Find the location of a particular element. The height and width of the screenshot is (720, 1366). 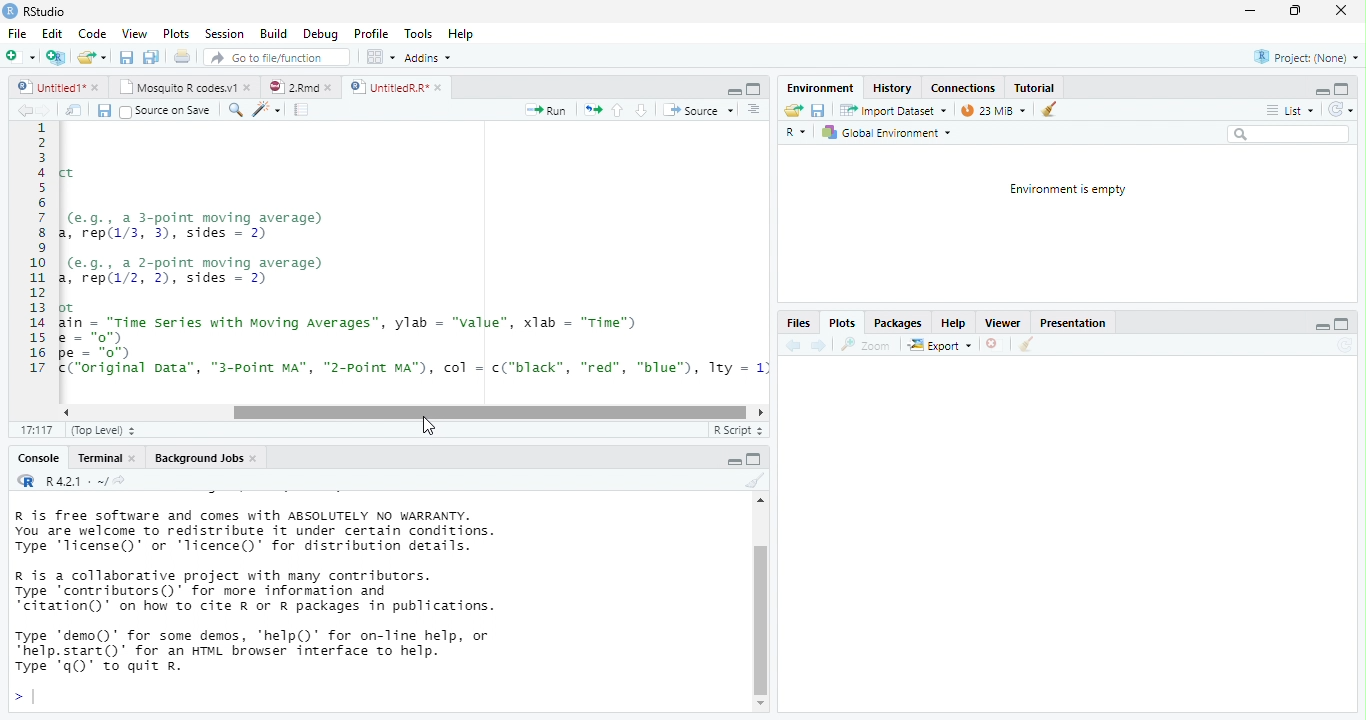

R Script is located at coordinates (736, 430).